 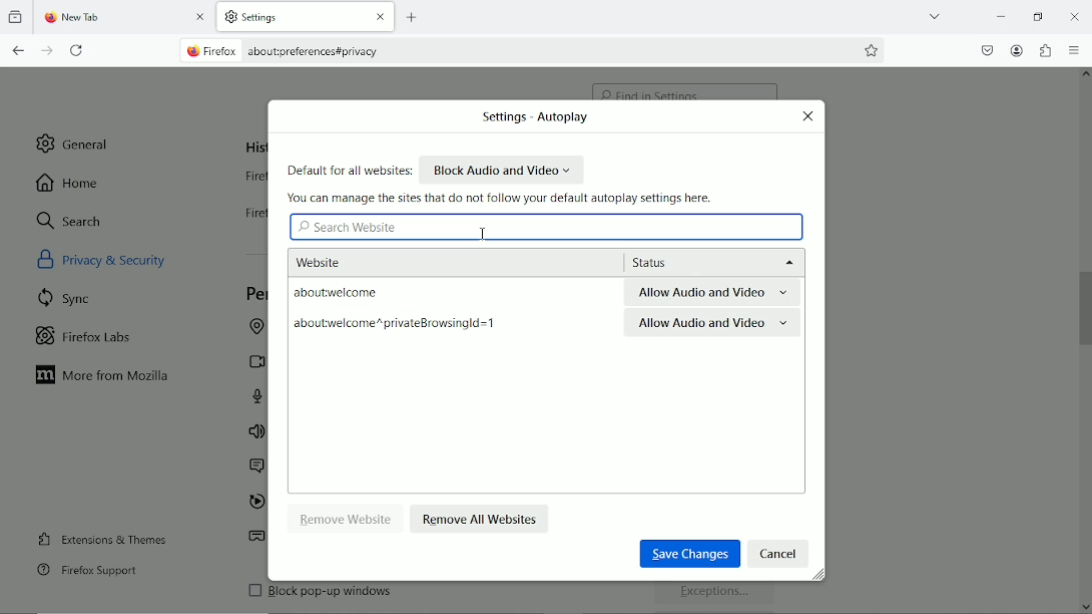 I want to click on vertical scroll bar, so click(x=1085, y=305).